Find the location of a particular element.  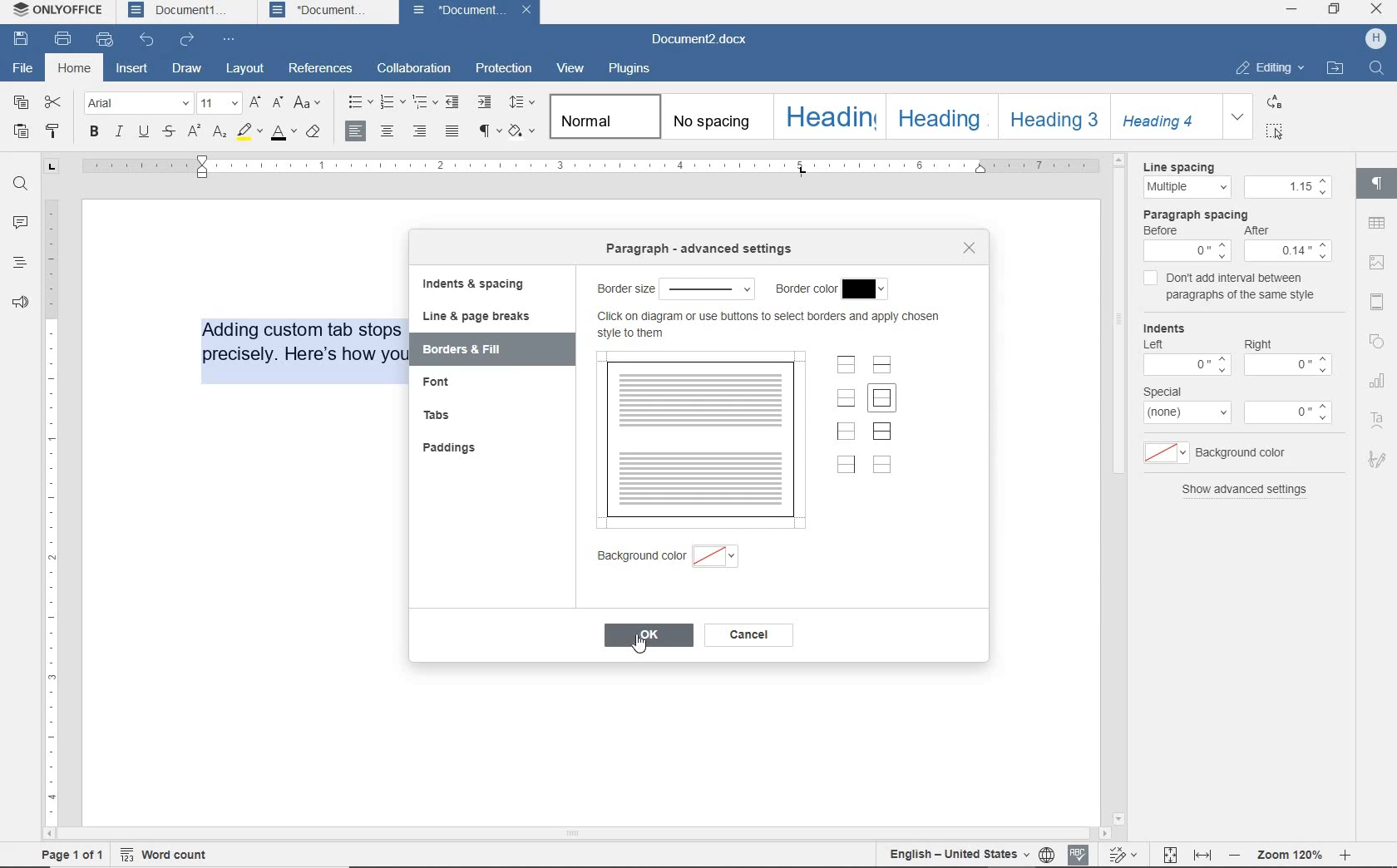

scroll is located at coordinates (590, 833).